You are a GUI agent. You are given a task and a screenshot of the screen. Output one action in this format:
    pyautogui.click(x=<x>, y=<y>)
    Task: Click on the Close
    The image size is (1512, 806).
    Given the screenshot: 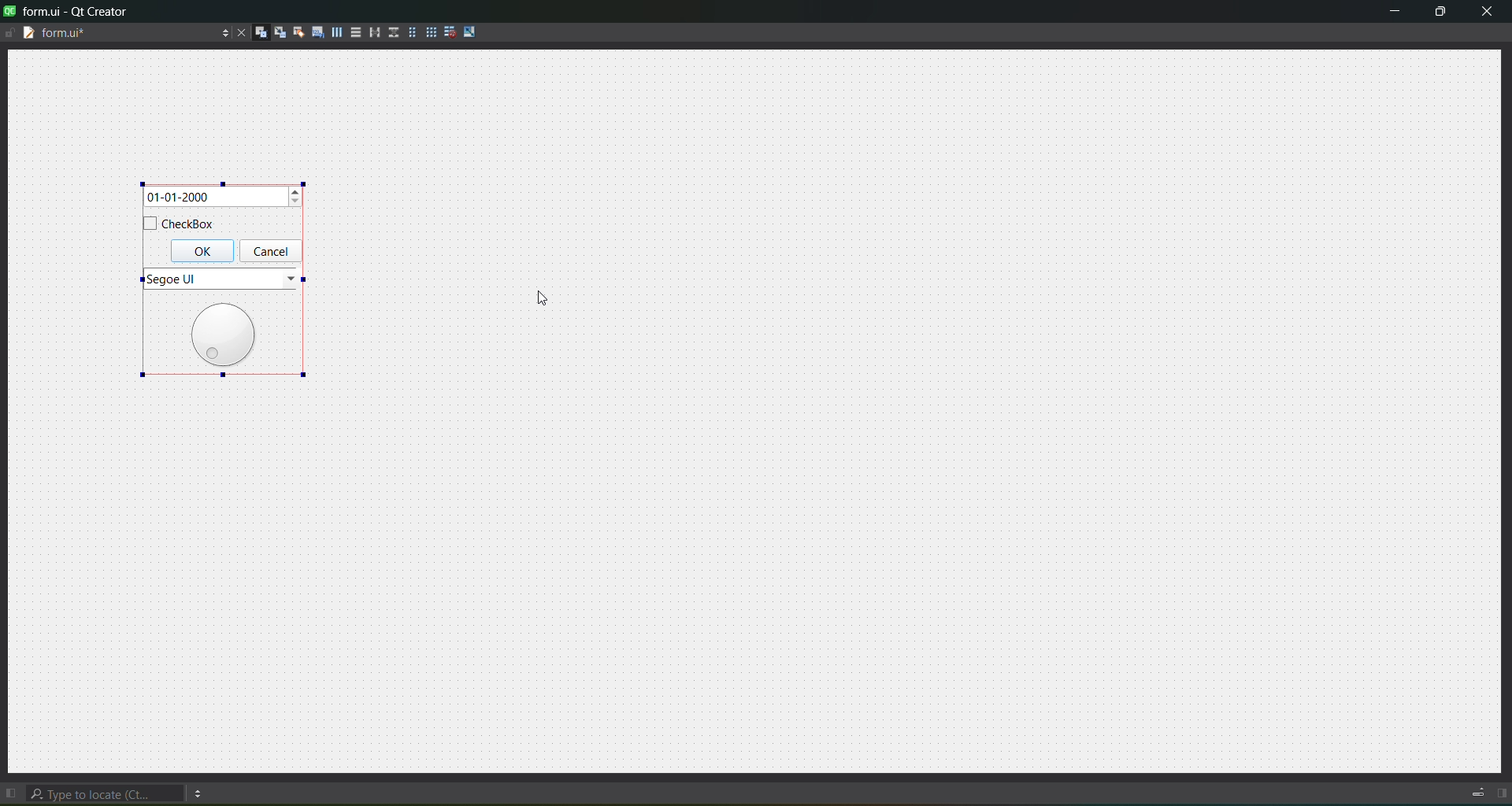 What is the action you would take?
    pyautogui.click(x=239, y=31)
    